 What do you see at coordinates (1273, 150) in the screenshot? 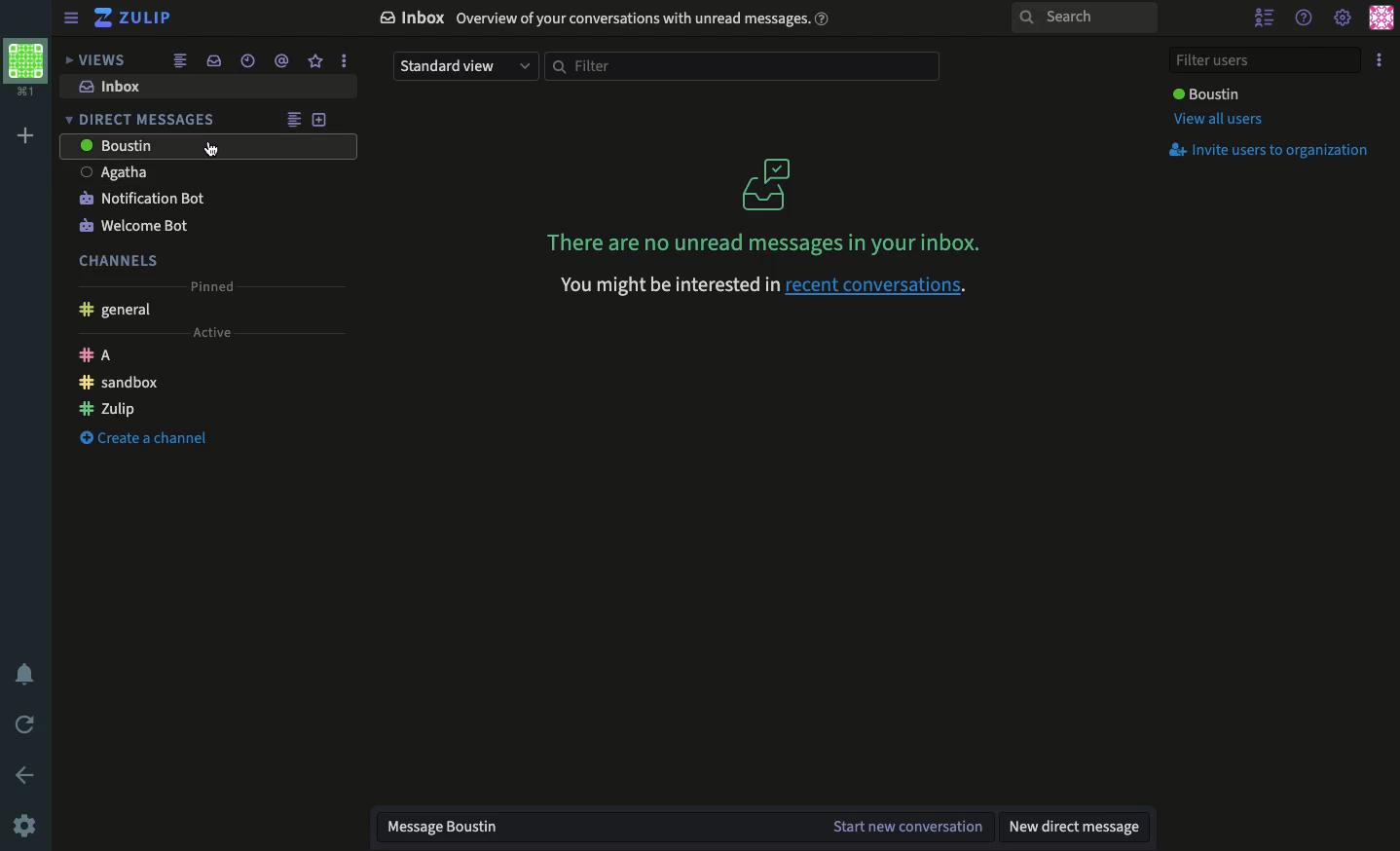
I see `Invite users to organization` at bounding box center [1273, 150].